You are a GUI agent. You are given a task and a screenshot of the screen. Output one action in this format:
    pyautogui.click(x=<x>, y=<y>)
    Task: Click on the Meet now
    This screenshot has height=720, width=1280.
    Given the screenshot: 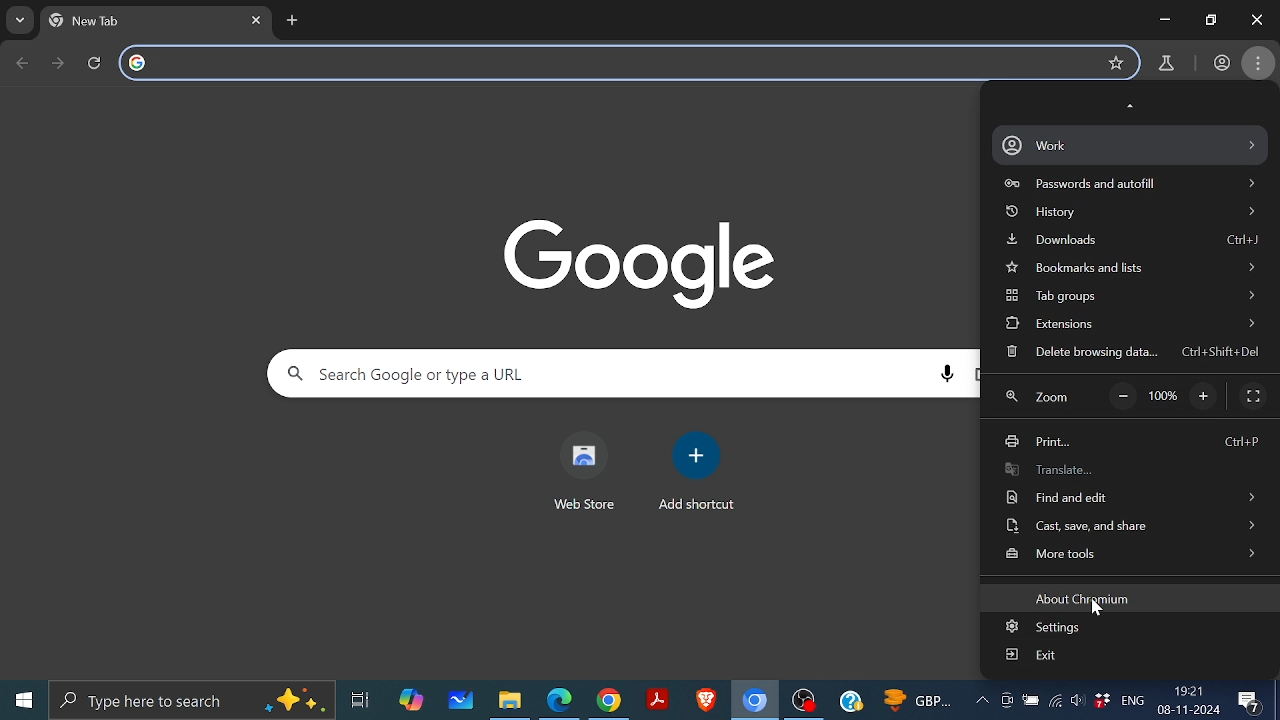 What is the action you would take?
    pyautogui.click(x=1006, y=703)
    